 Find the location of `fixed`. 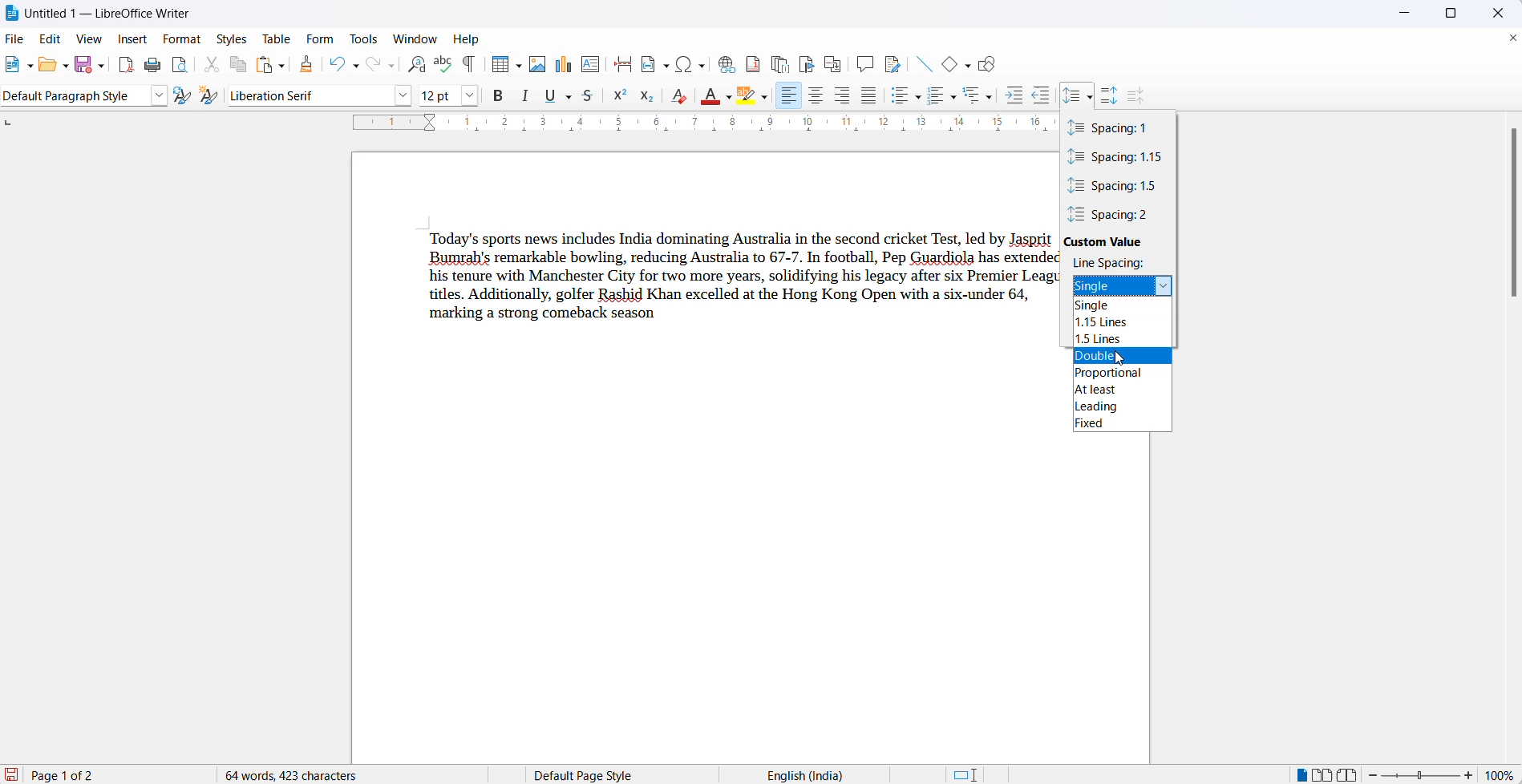

fixed is located at coordinates (1118, 425).